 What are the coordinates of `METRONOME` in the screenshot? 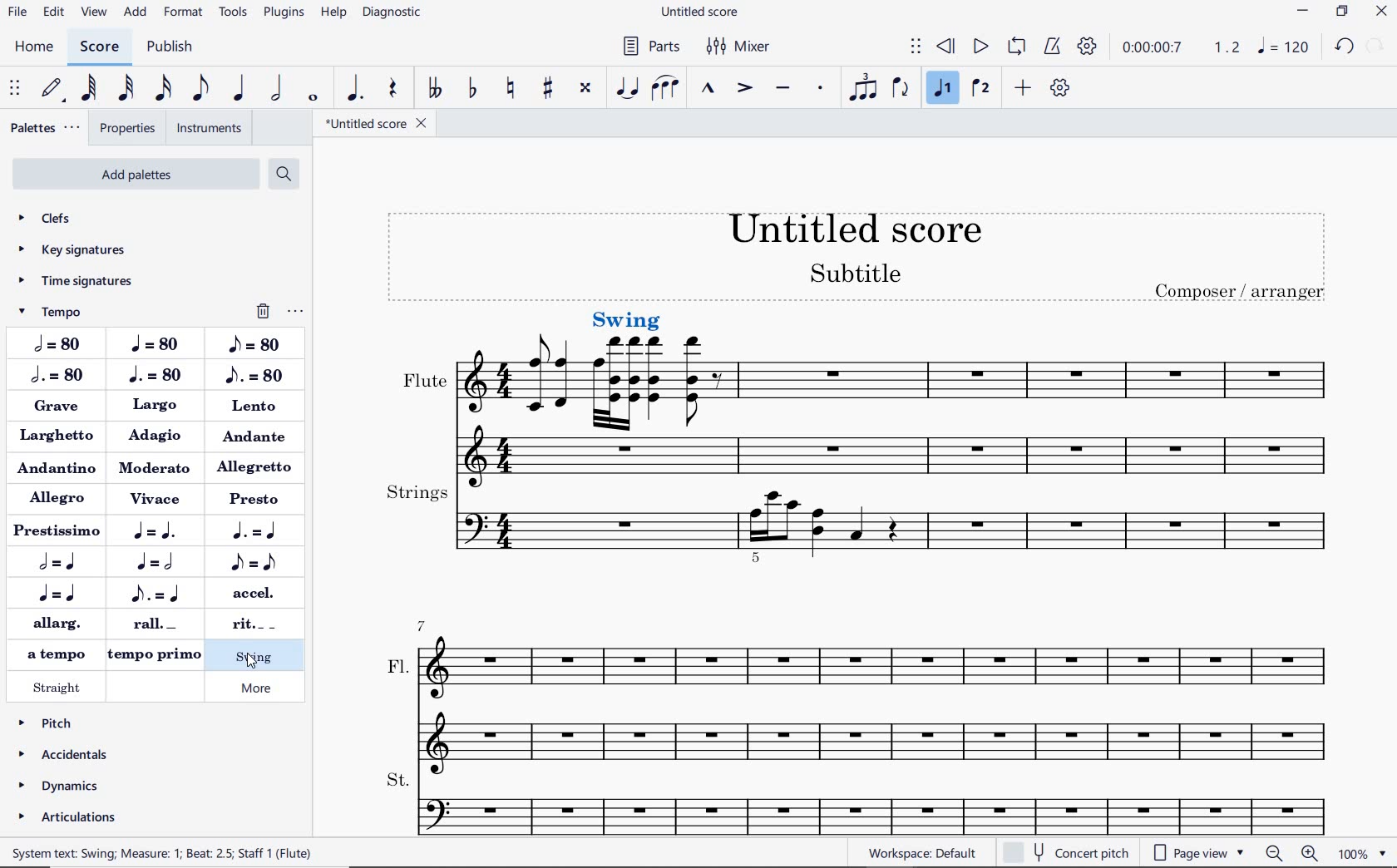 It's located at (1054, 46).